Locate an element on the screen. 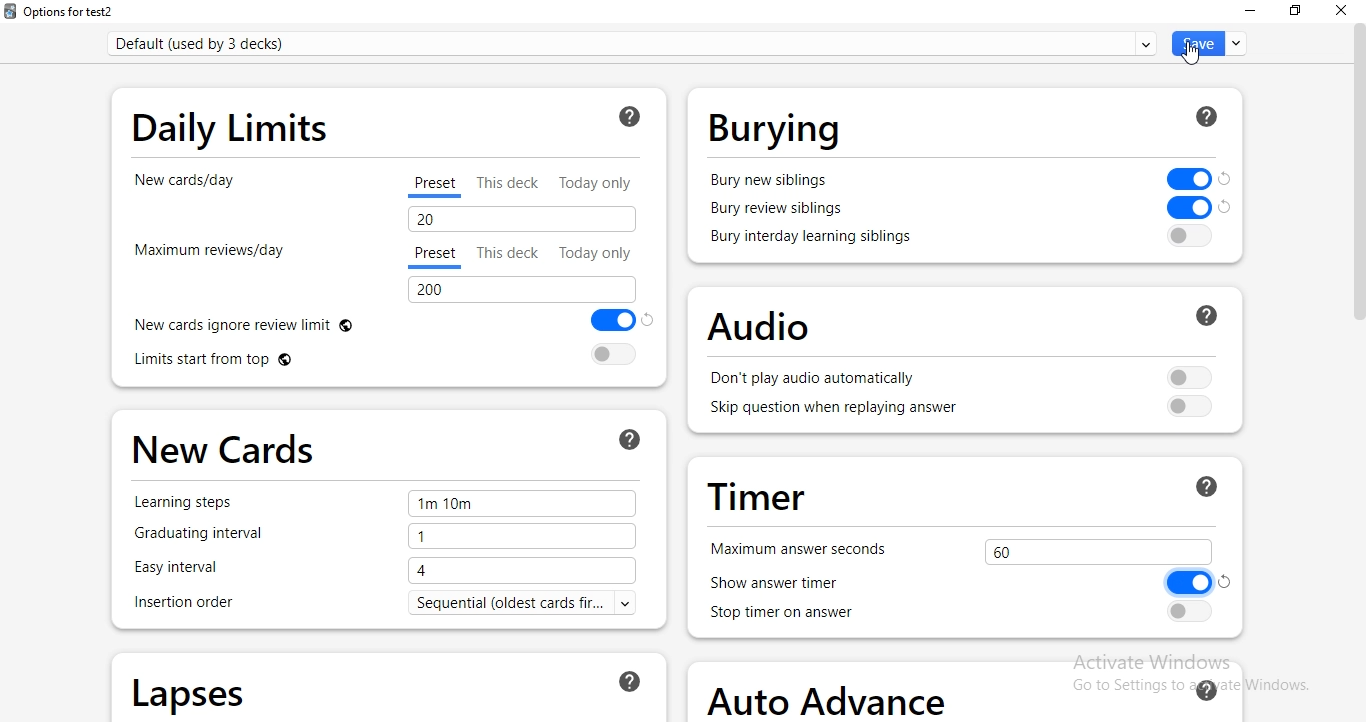 The width and height of the screenshot is (1366, 722). new cards ignore review limit is located at coordinates (386, 321).